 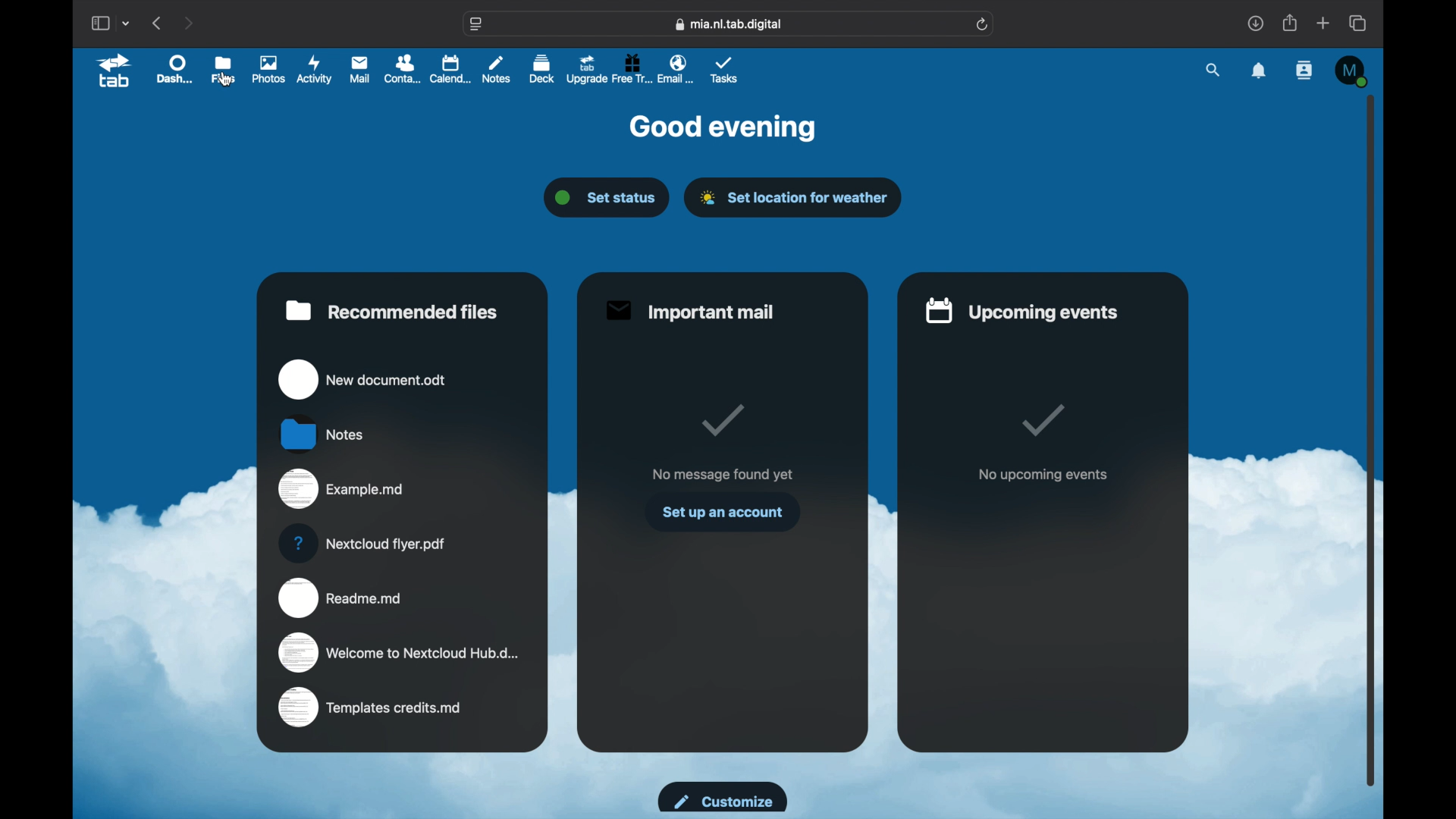 What do you see at coordinates (692, 310) in the screenshot?
I see `important mail` at bounding box center [692, 310].